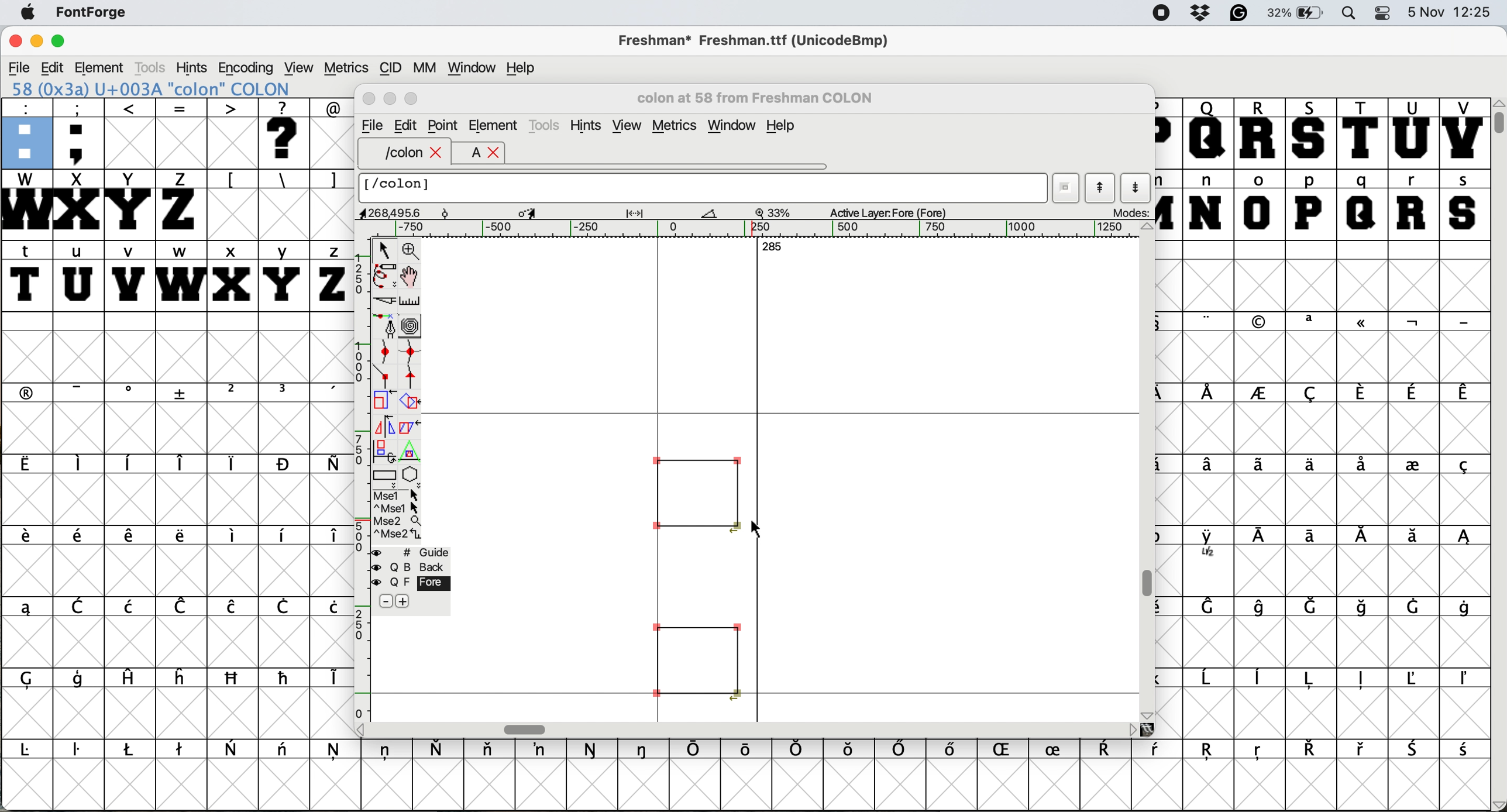 This screenshot has width=1507, height=812. Describe the element at coordinates (1210, 545) in the screenshot. I see `symbol` at that location.